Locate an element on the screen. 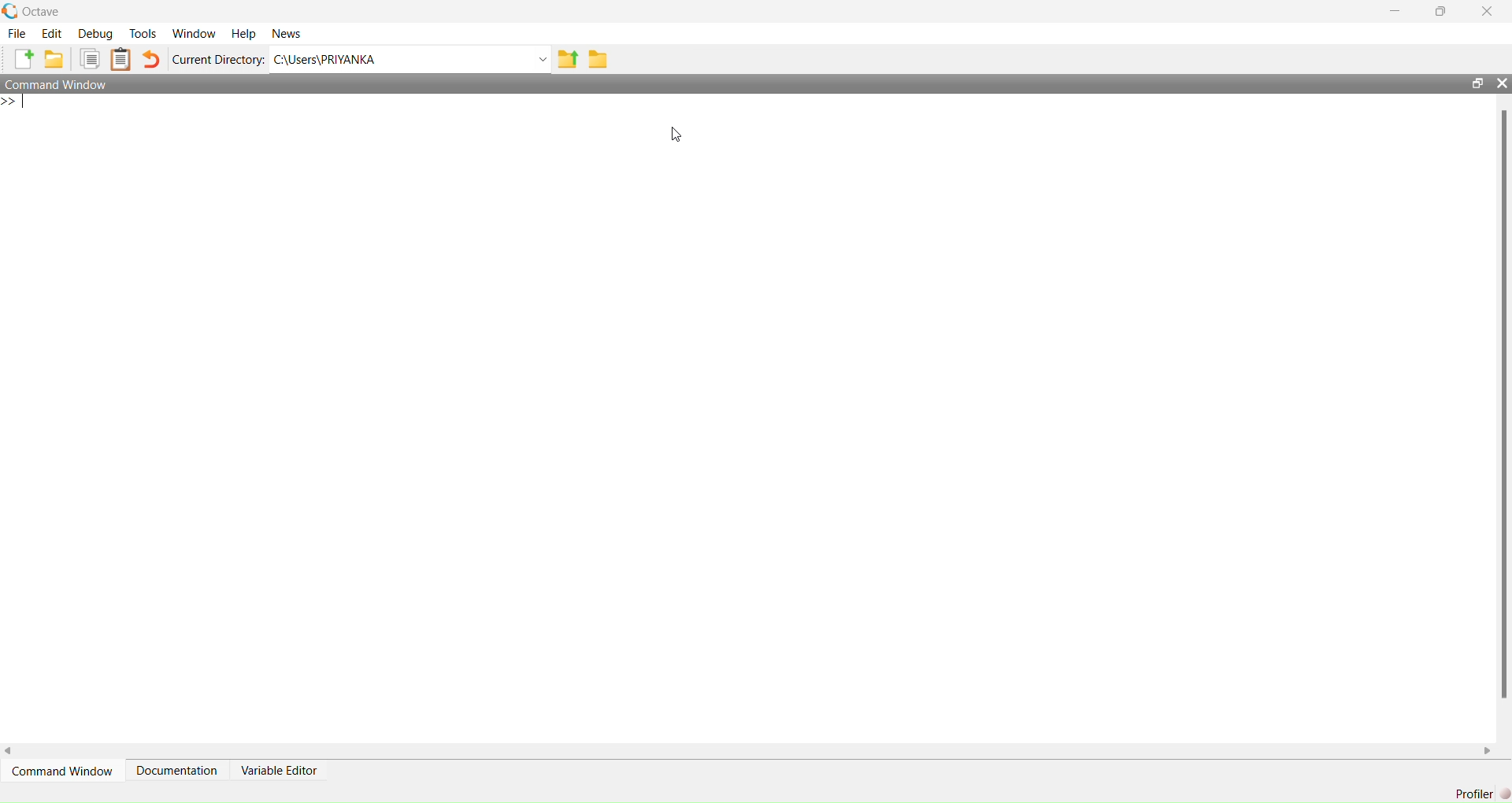 This screenshot has width=1512, height=803. Command Window is located at coordinates (56, 83).